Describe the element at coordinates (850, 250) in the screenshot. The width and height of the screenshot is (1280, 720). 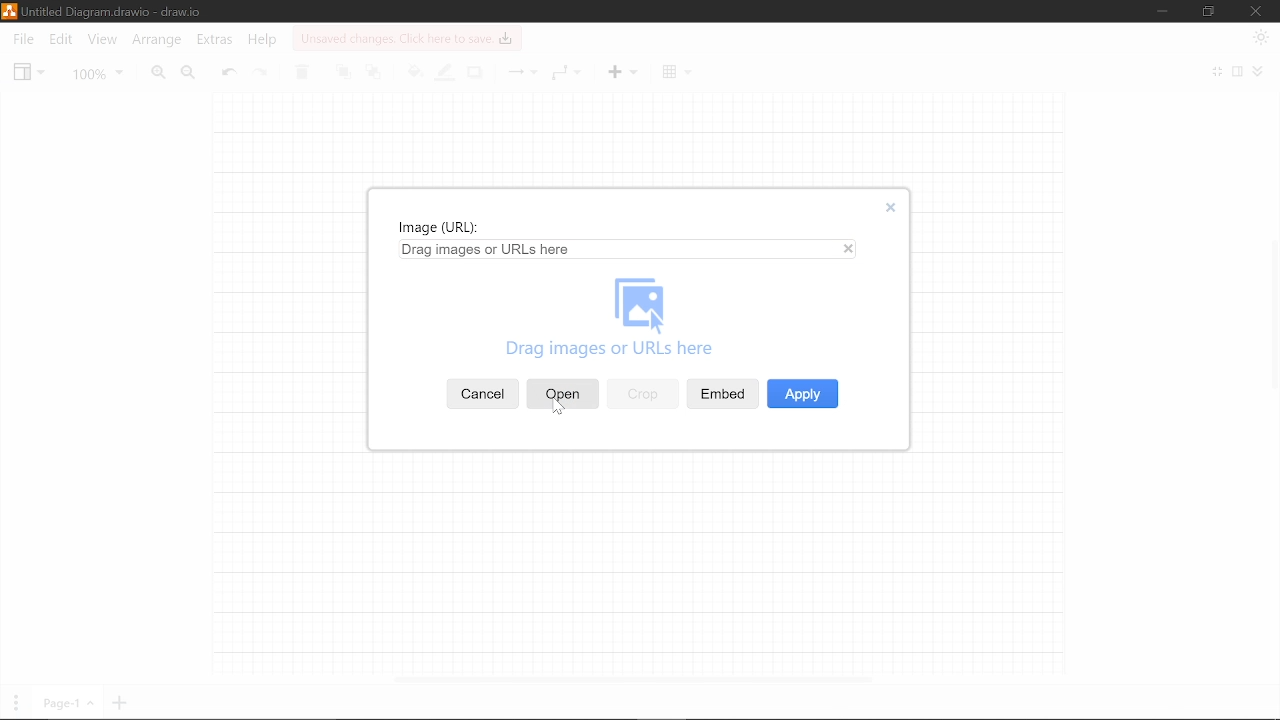
I see `close` at that location.